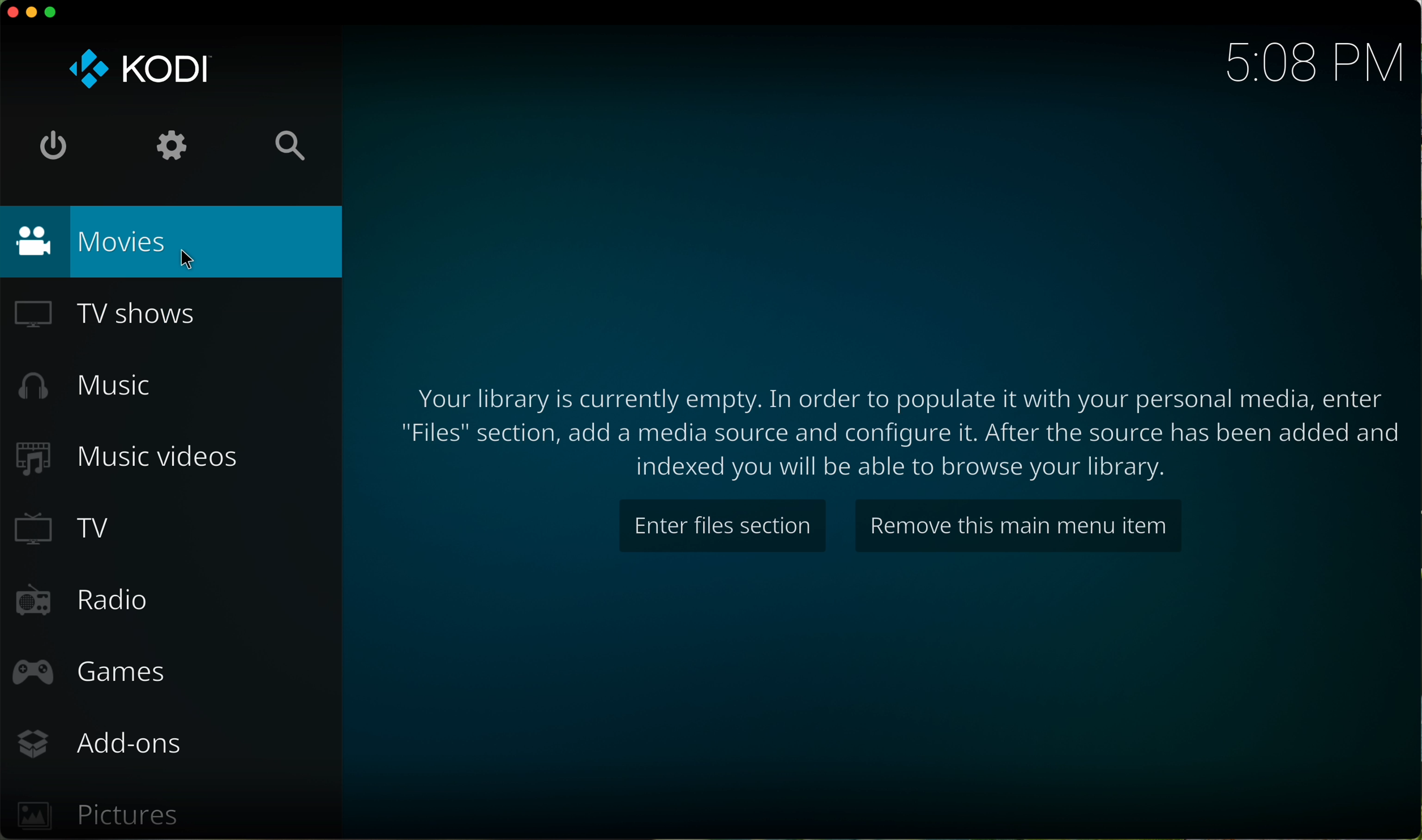 This screenshot has height=840, width=1422. What do you see at coordinates (35, 14) in the screenshot?
I see `minimize` at bounding box center [35, 14].